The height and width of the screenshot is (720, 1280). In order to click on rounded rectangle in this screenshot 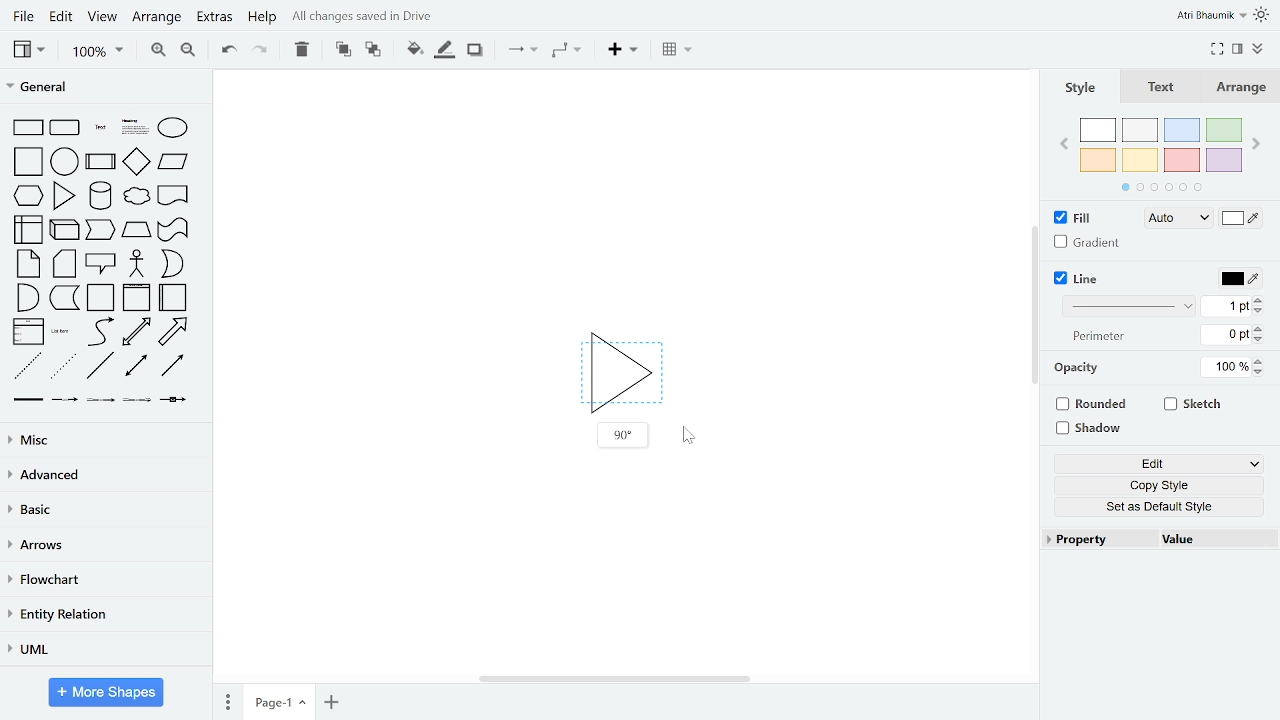, I will do `click(66, 128)`.